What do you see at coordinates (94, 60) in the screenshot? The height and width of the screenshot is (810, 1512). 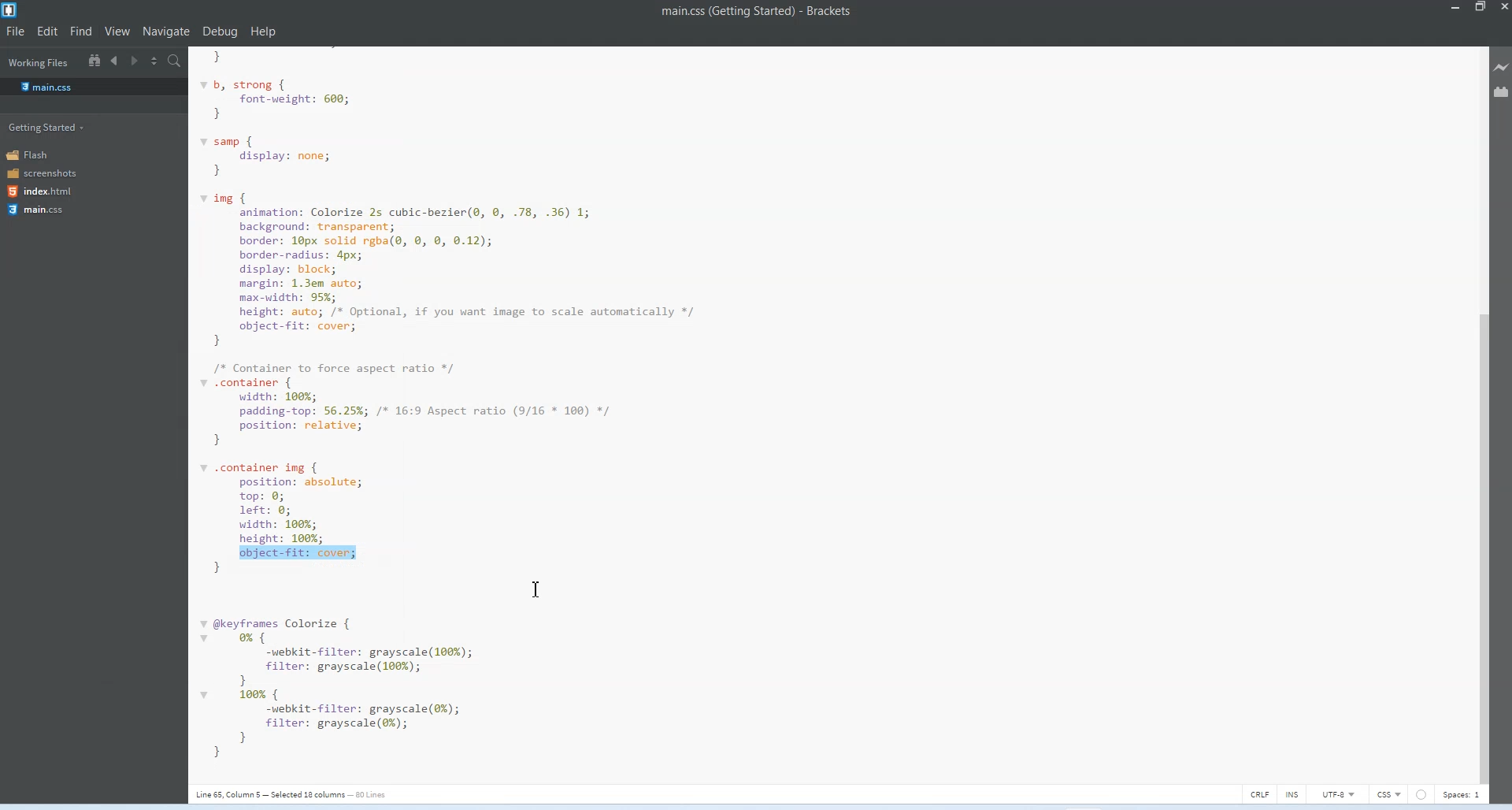 I see `Show in the file tree` at bounding box center [94, 60].